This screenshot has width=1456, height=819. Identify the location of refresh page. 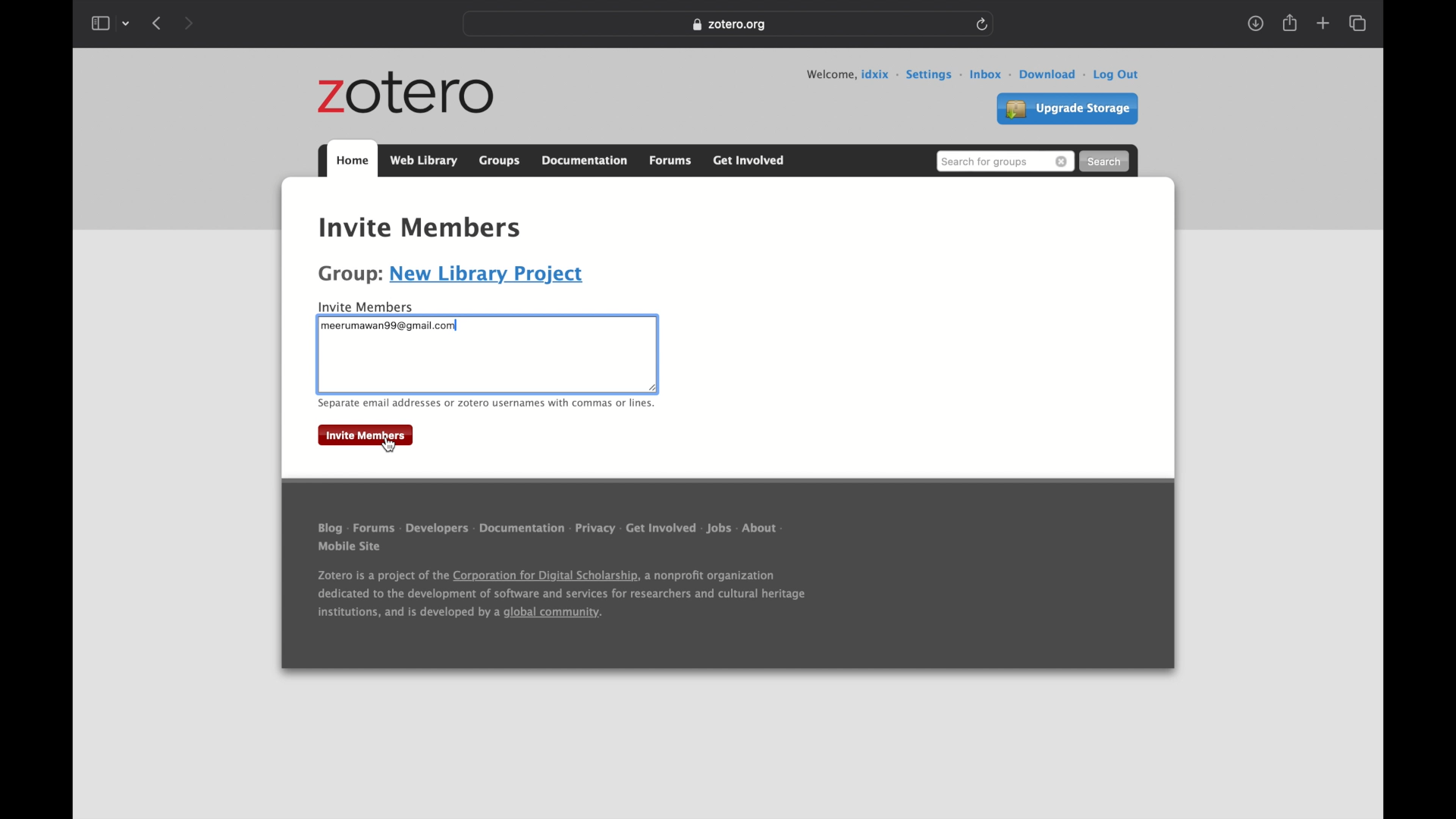
(982, 23).